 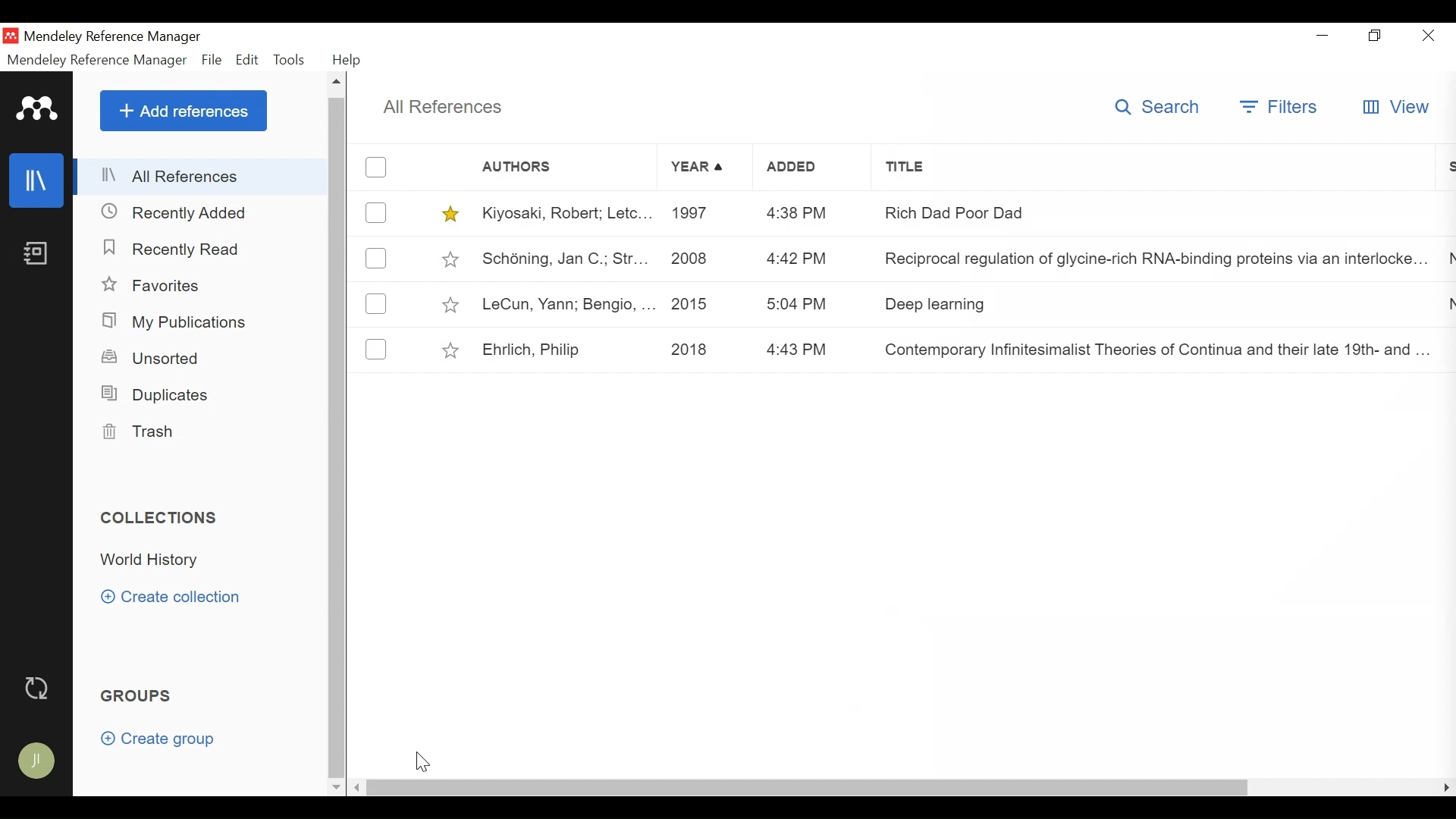 What do you see at coordinates (1147, 215) in the screenshot?
I see `Rich Dad Poor Dad` at bounding box center [1147, 215].